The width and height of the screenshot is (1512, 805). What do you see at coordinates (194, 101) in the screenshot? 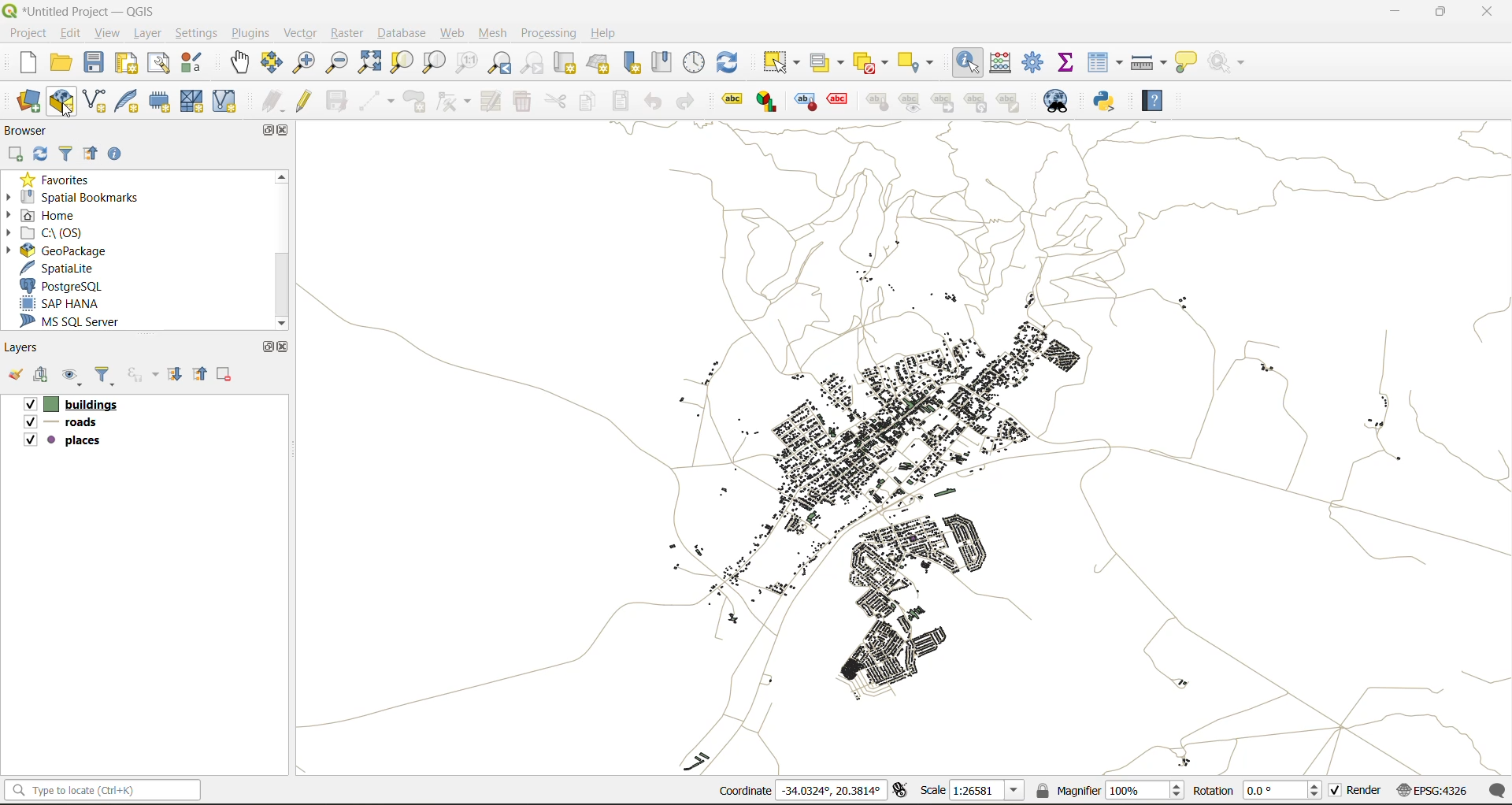
I see `mesh` at bounding box center [194, 101].